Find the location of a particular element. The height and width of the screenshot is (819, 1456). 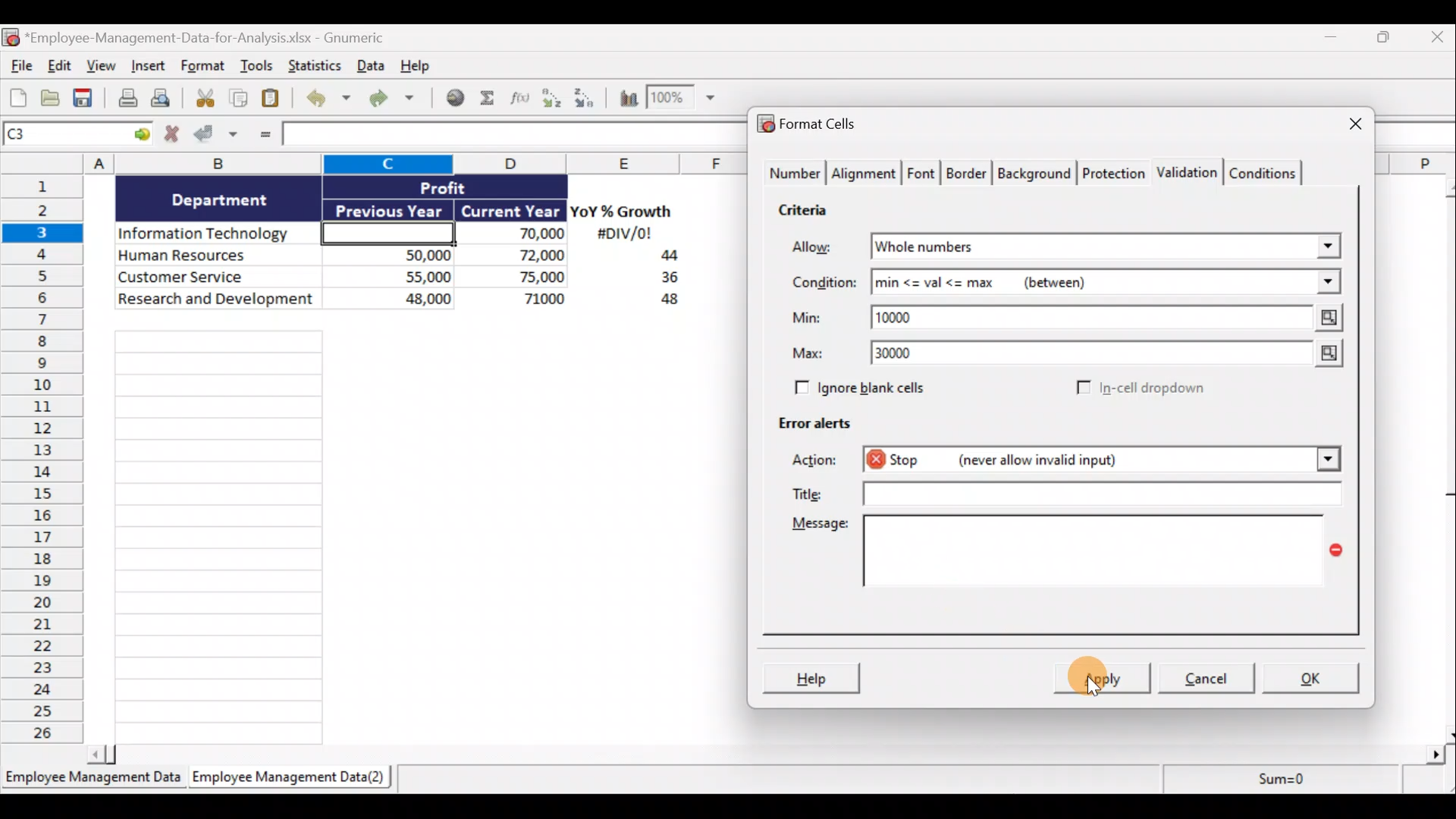

Enter formula is located at coordinates (262, 136).